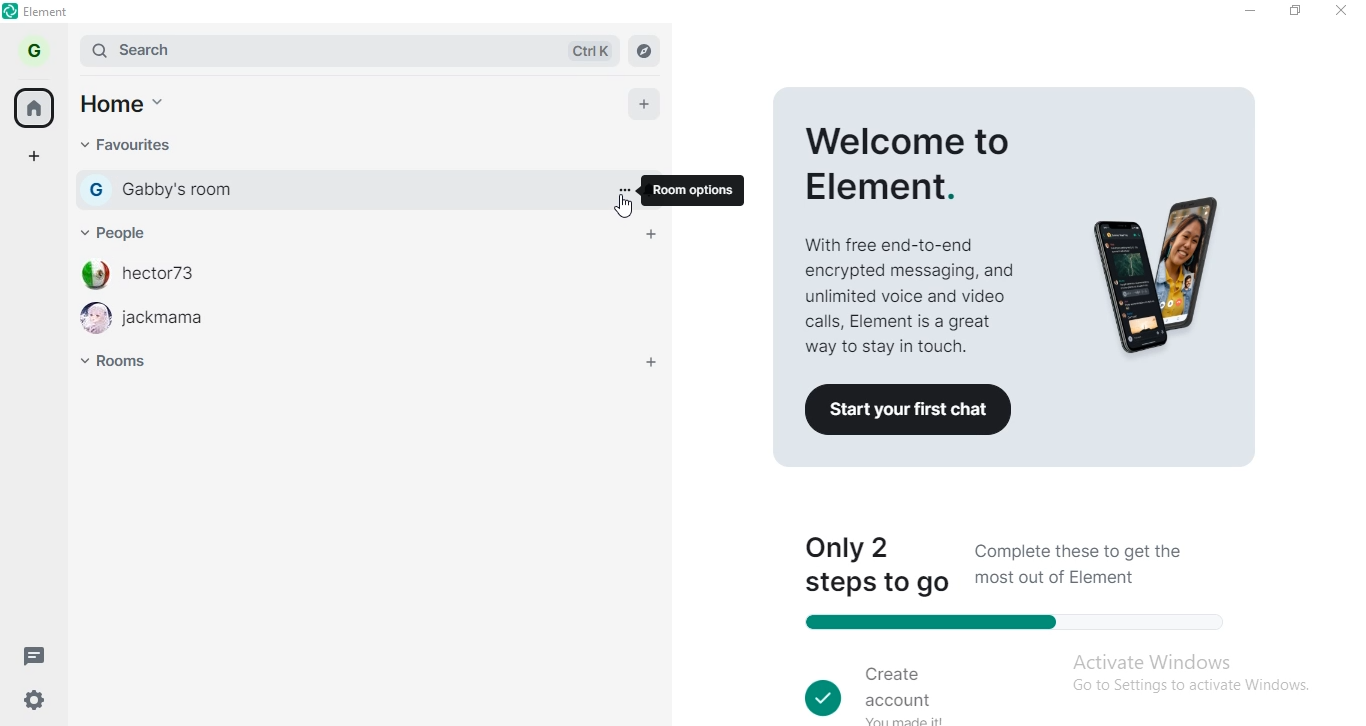 This screenshot has width=1366, height=726. Describe the element at coordinates (653, 237) in the screenshot. I see `add people` at that location.